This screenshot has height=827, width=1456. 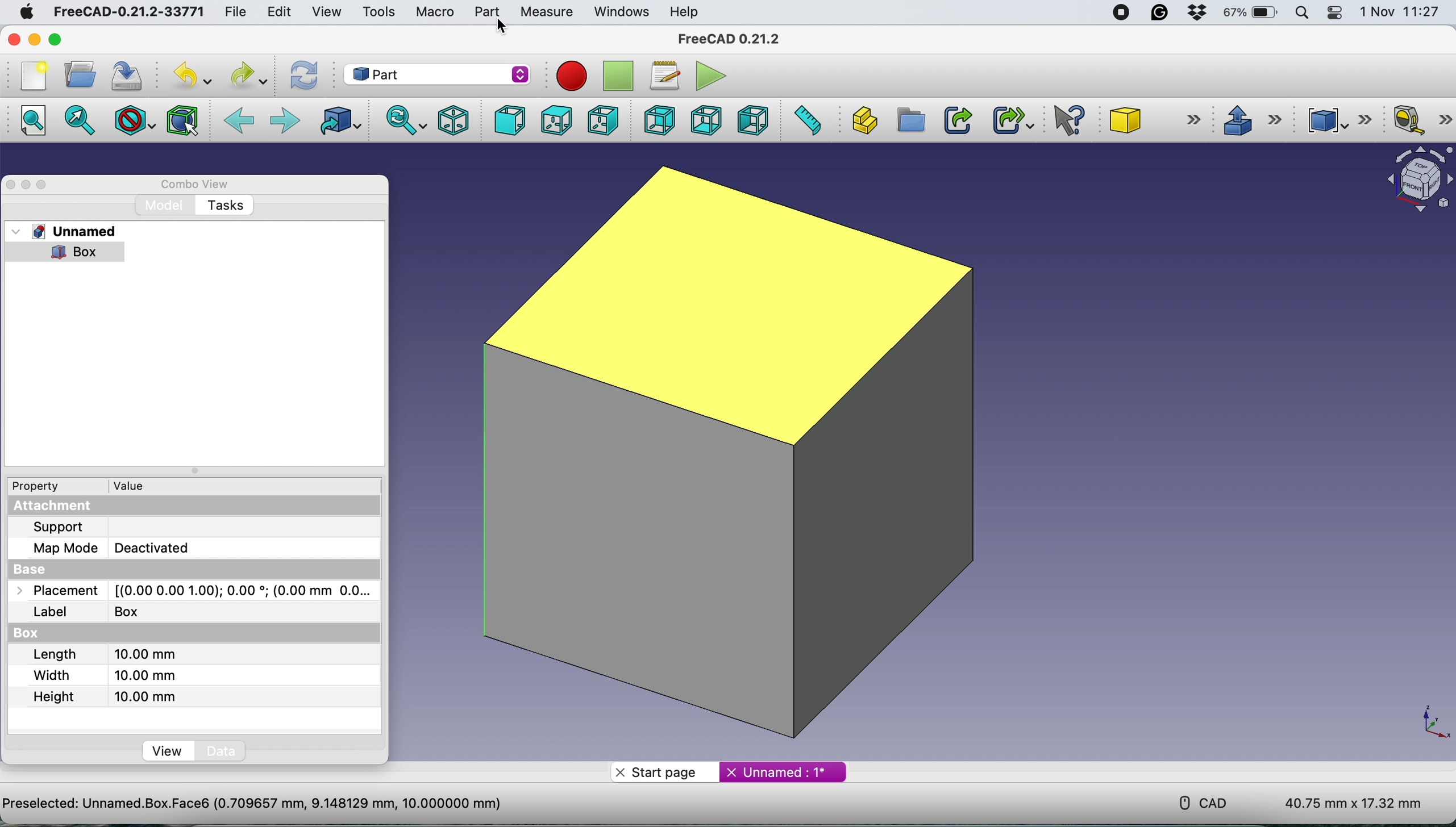 What do you see at coordinates (27, 10) in the screenshot?
I see `system logo` at bounding box center [27, 10].